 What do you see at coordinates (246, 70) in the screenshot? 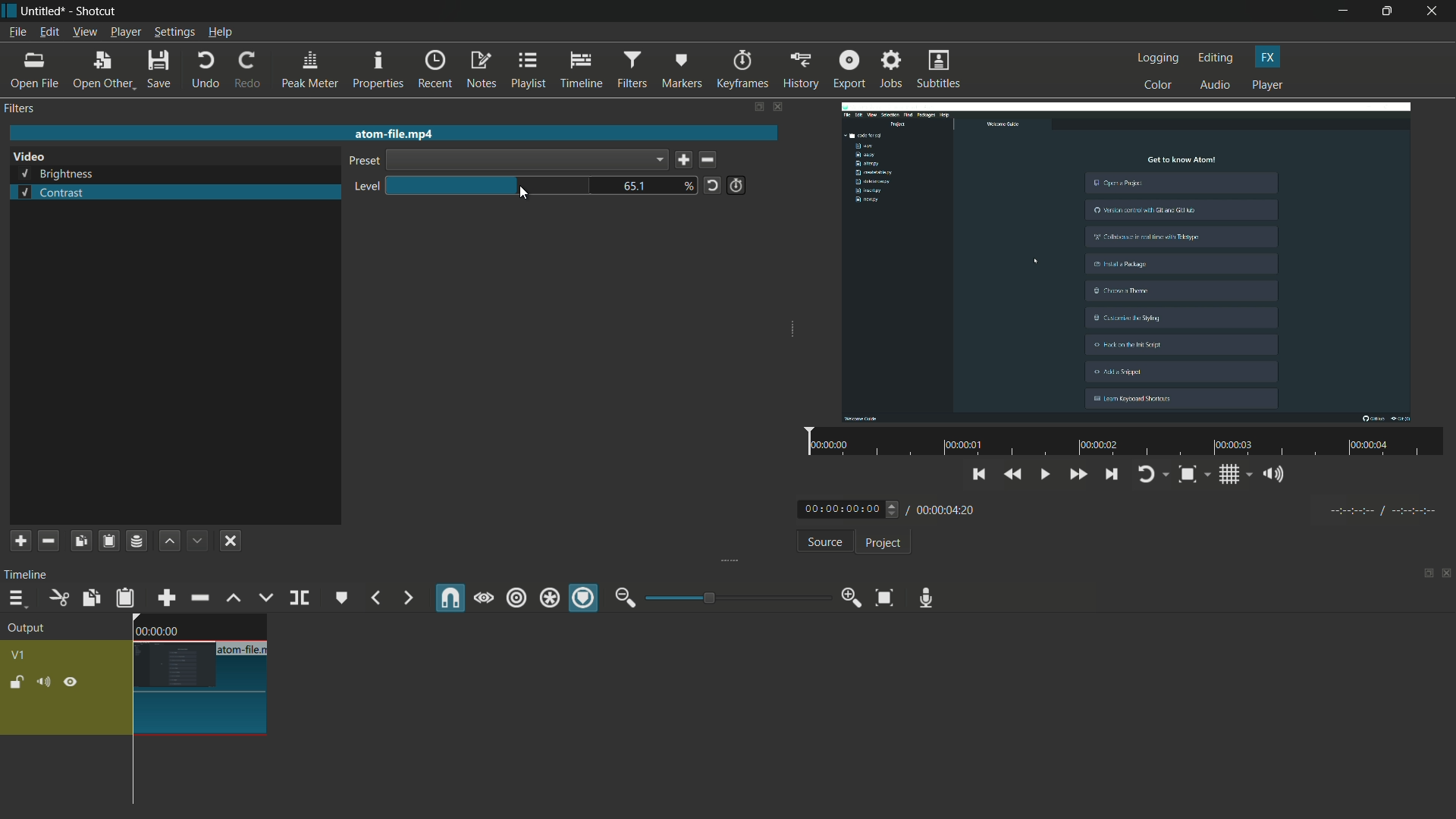
I see `redo` at bounding box center [246, 70].